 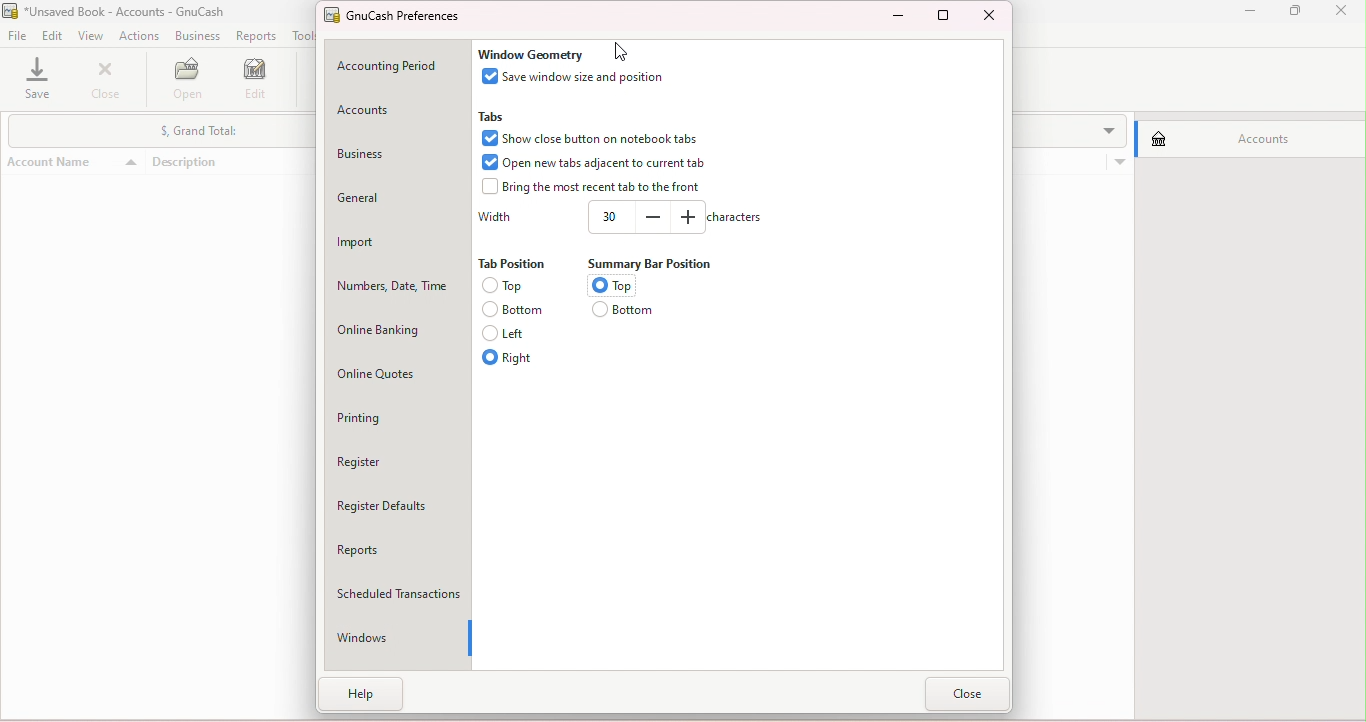 What do you see at coordinates (518, 309) in the screenshot?
I see `Bottom` at bounding box center [518, 309].